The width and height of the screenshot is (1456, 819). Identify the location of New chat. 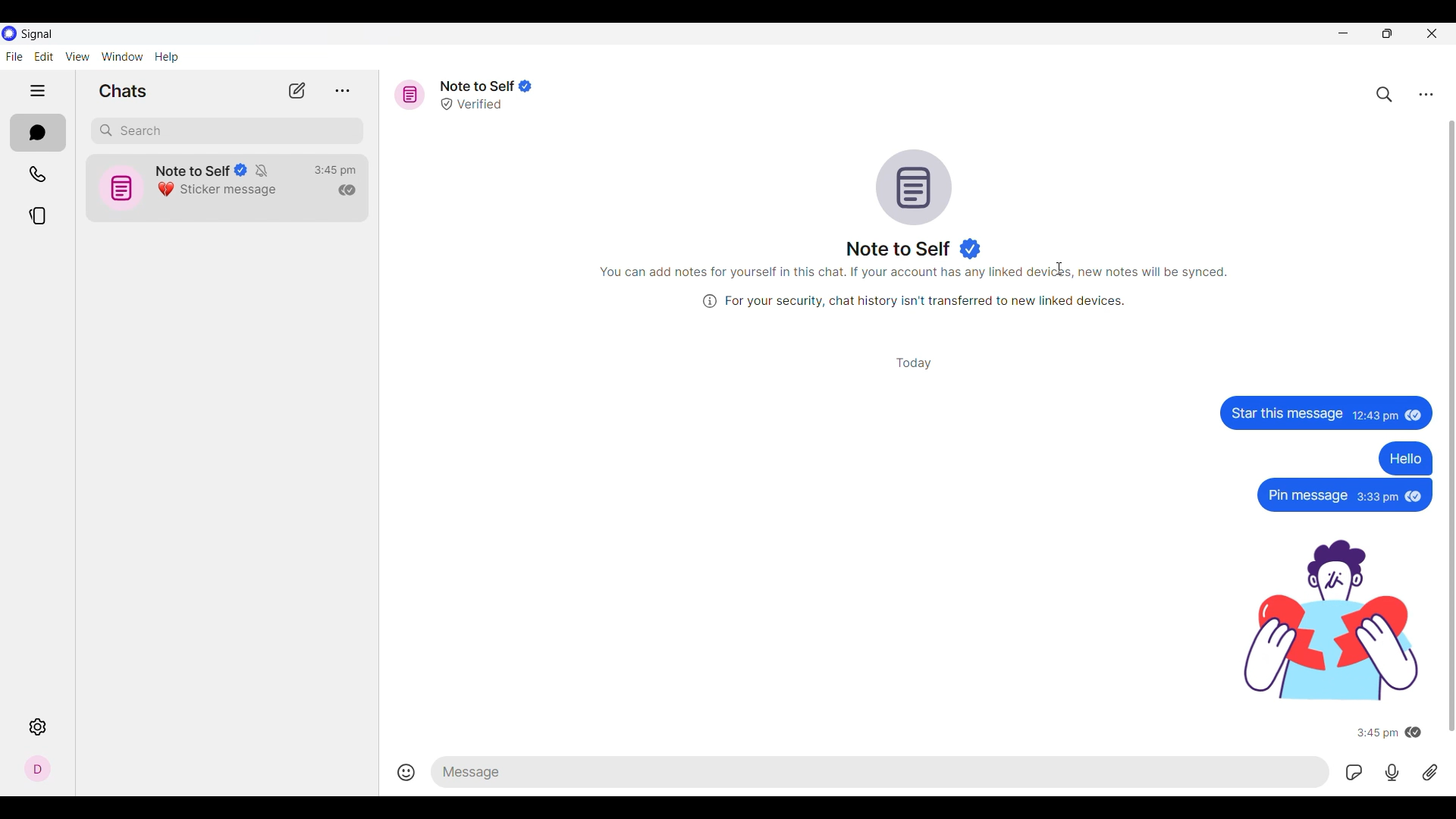
(297, 91).